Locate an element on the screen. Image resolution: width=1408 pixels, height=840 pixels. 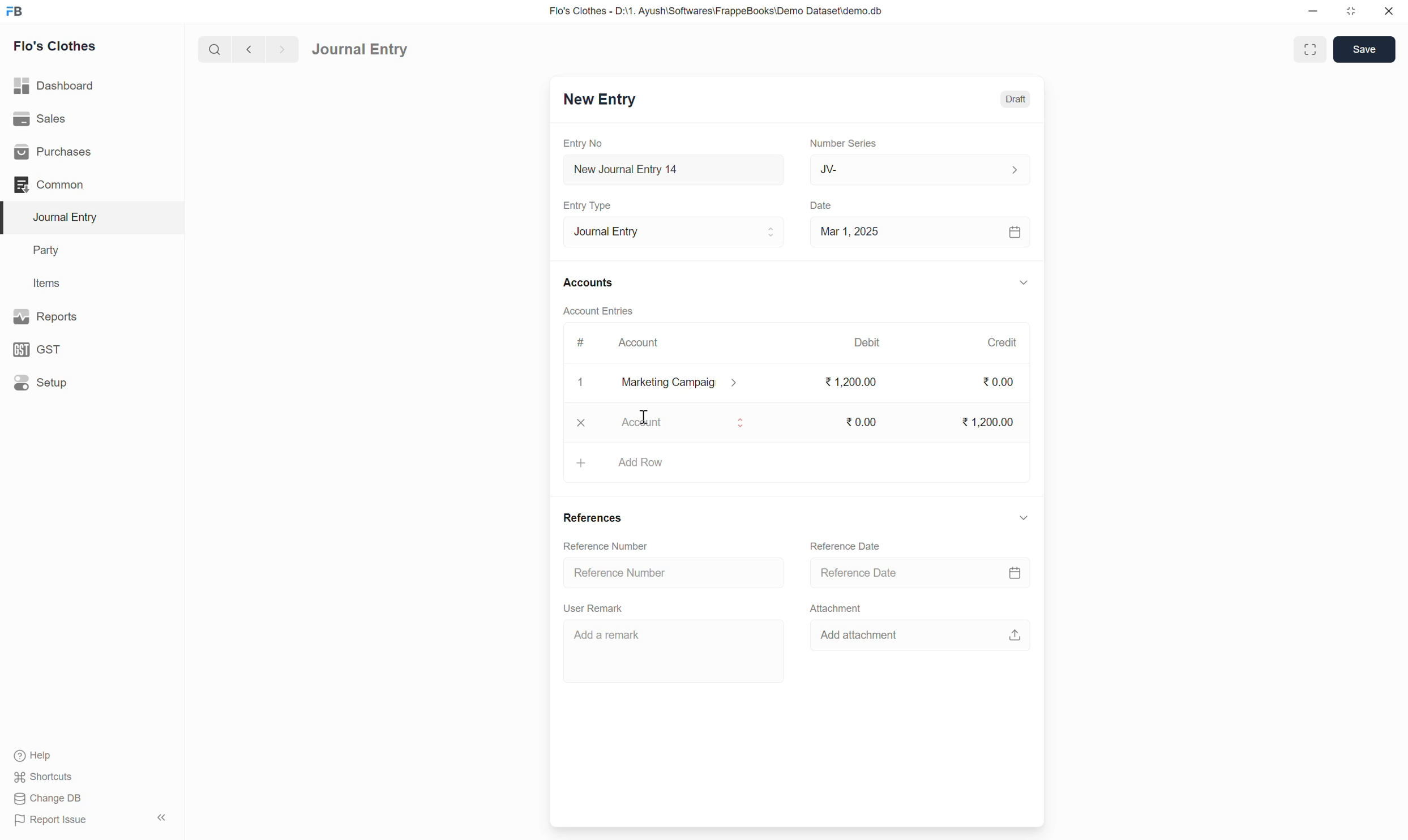
minimize is located at coordinates (1313, 12).